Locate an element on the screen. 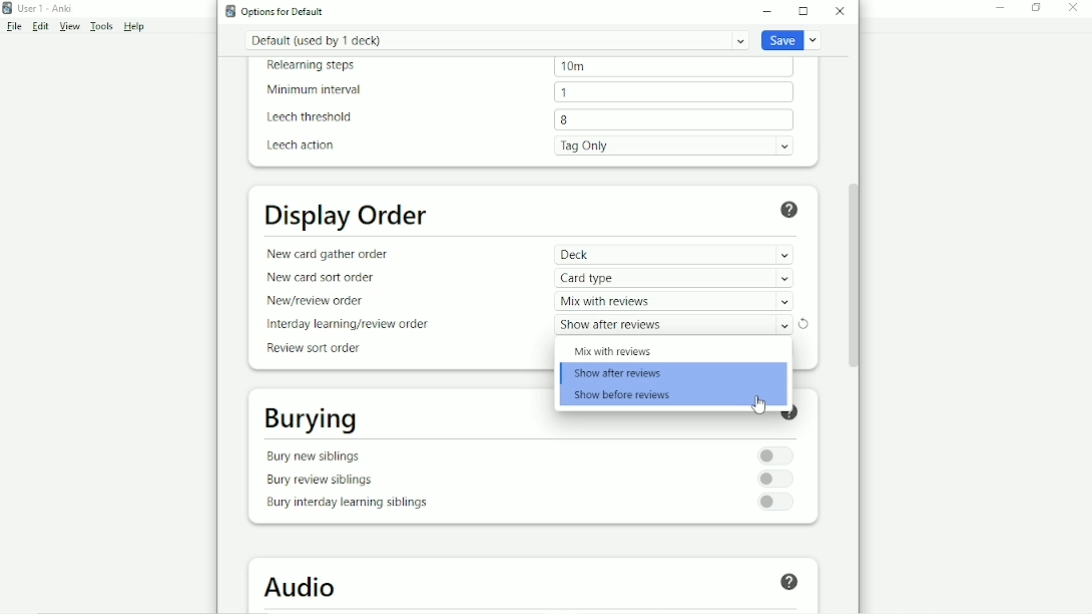 The width and height of the screenshot is (1092, 614). 10m is located at coordinates (673, 67).